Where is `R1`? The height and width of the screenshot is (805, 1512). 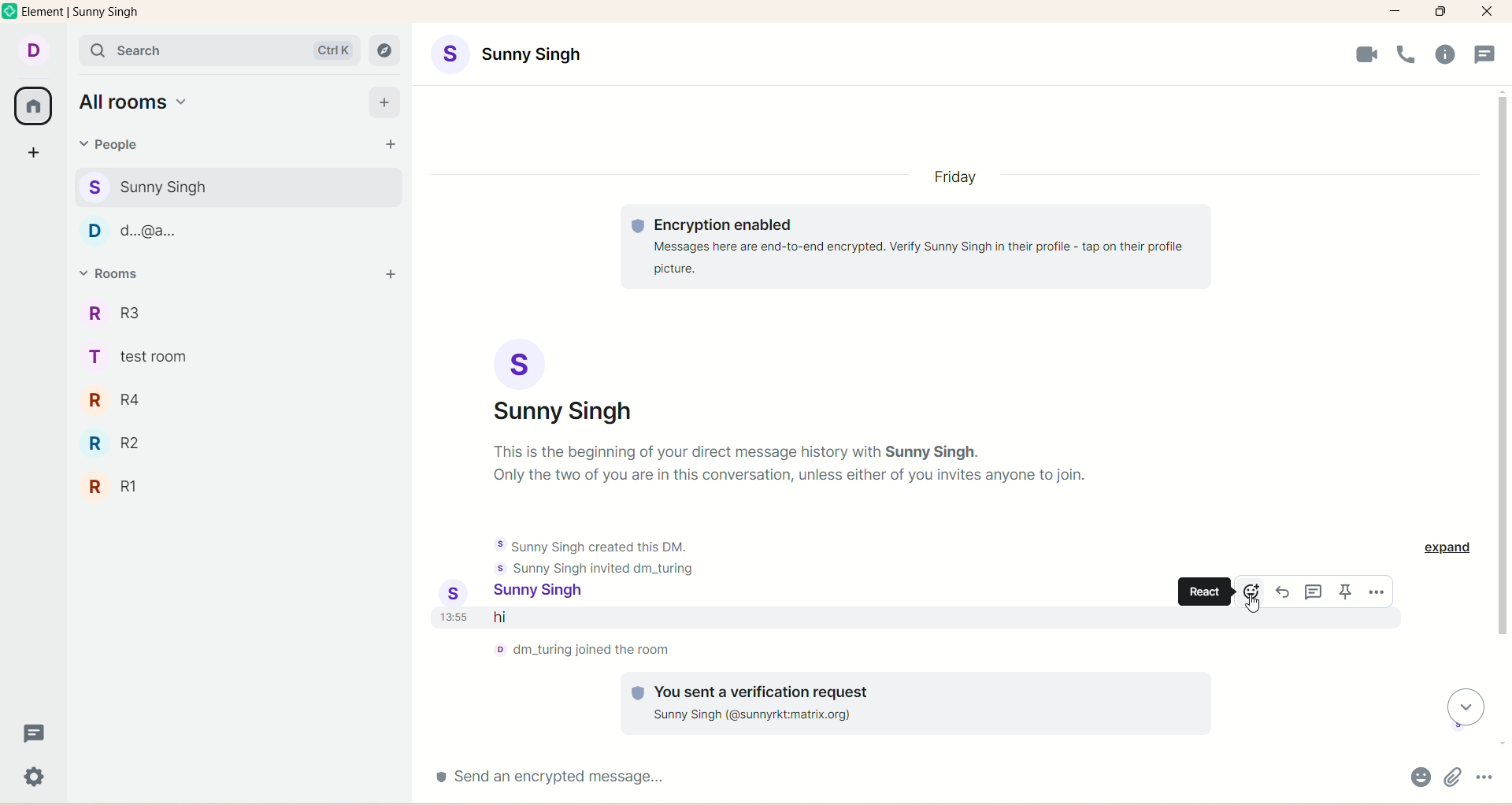 R1 is located at coordinates (139, 488).